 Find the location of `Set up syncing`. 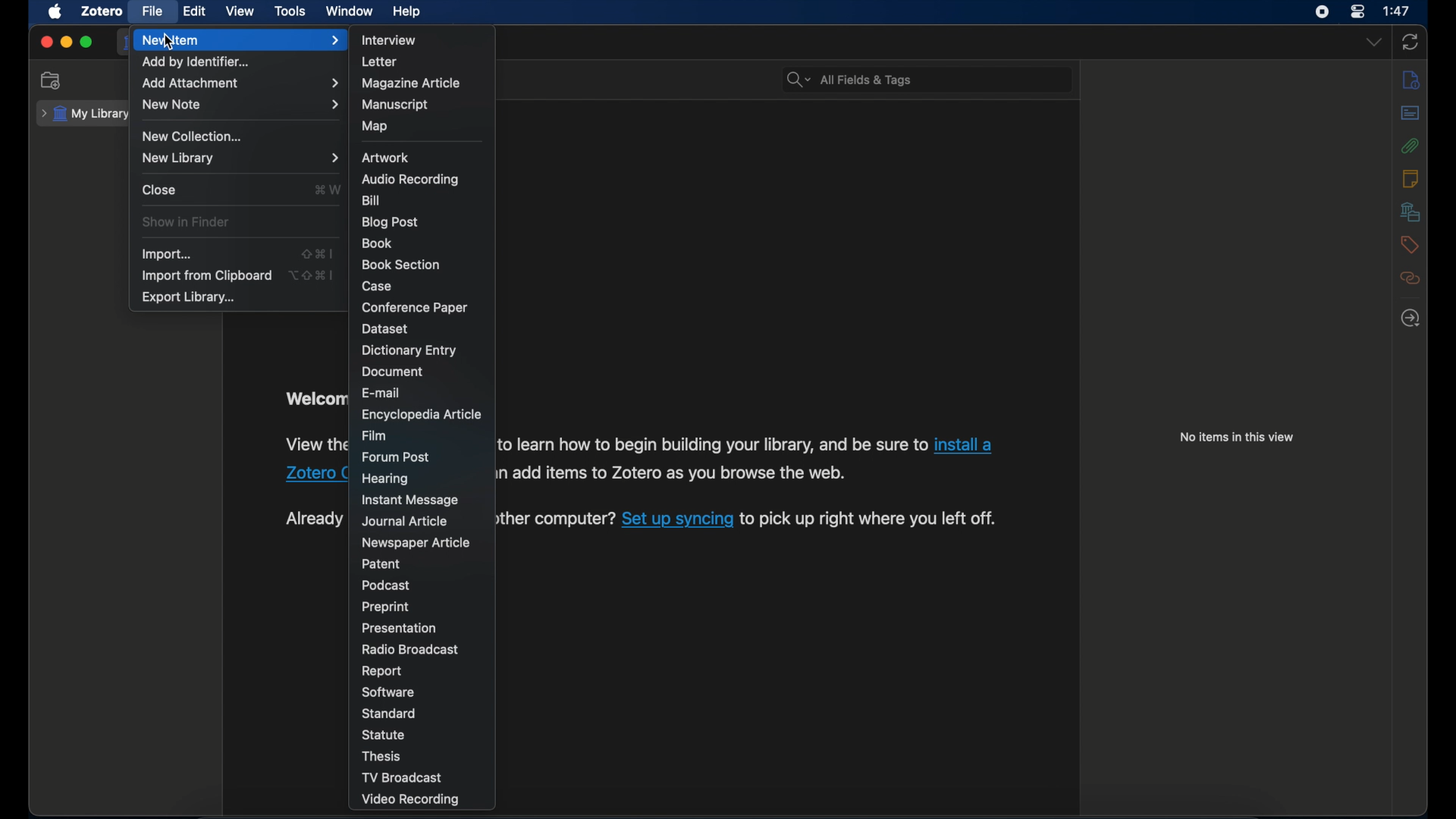

Set up syncing is located at coordinates (677, 519).